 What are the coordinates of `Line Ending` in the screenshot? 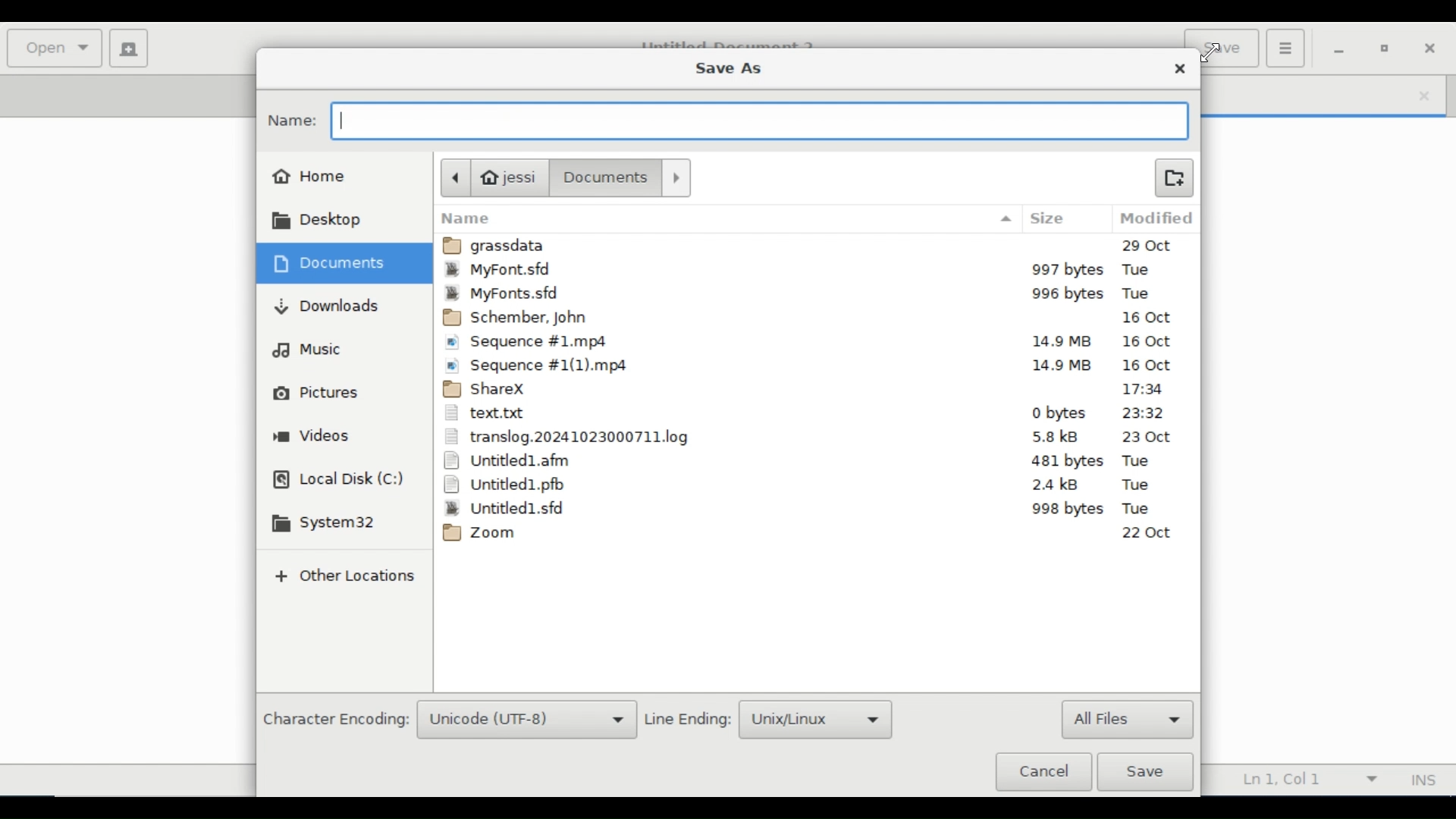 It's located at (686, 717).